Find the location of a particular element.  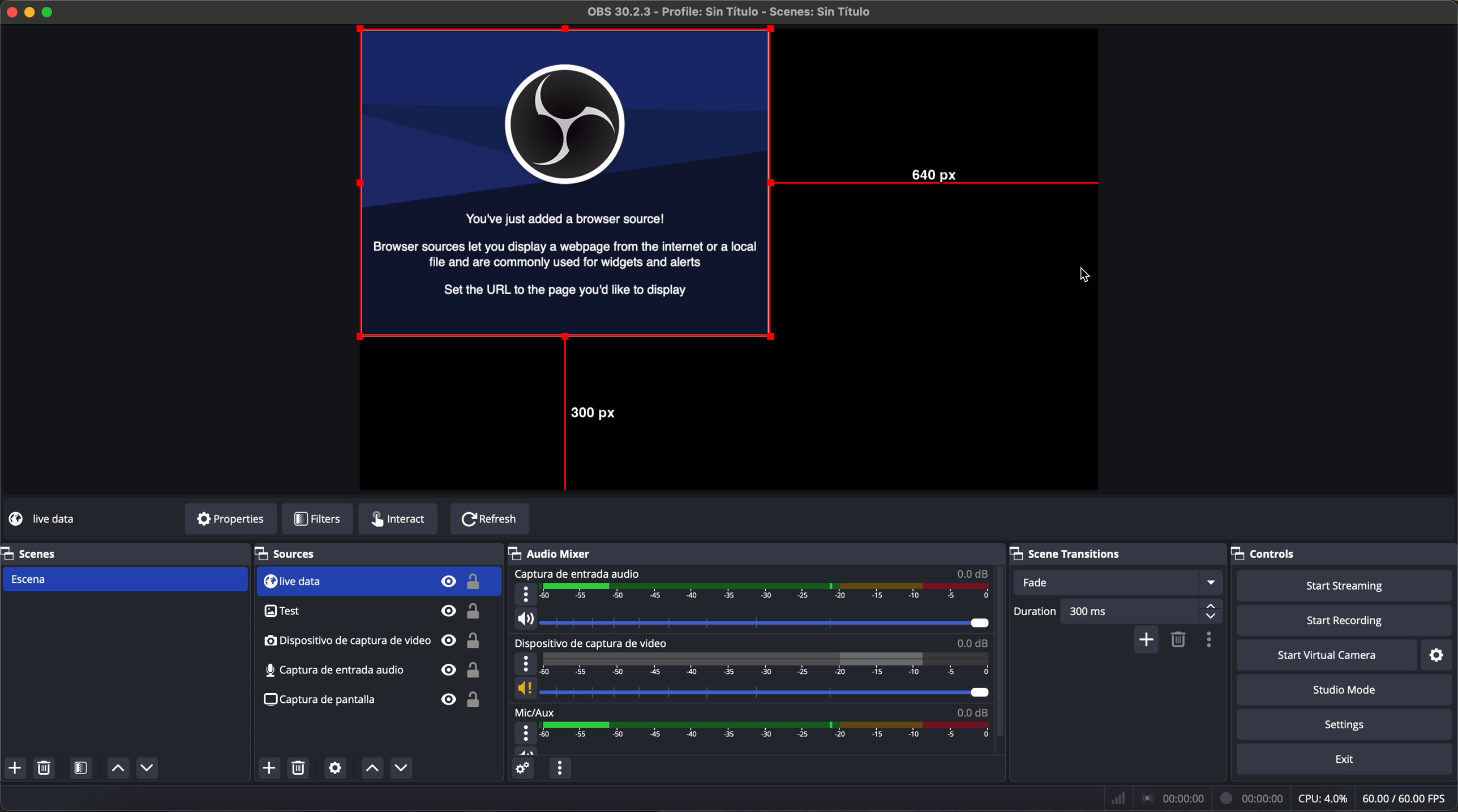

300 ms is located at coordinates (1146, 611).